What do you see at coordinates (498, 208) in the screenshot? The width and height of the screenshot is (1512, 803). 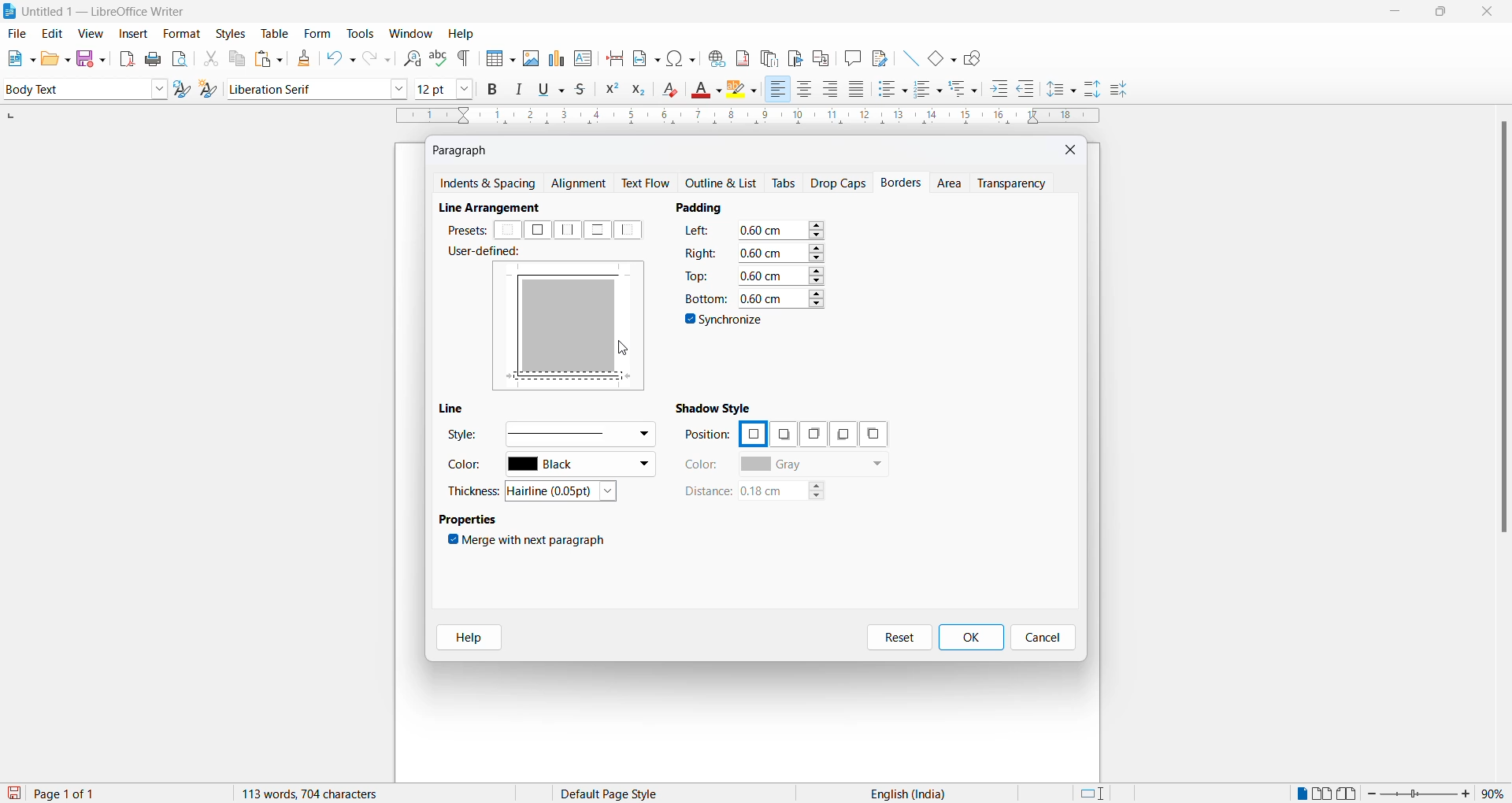 I see `line arrangement` at bounding box center [498, 208].